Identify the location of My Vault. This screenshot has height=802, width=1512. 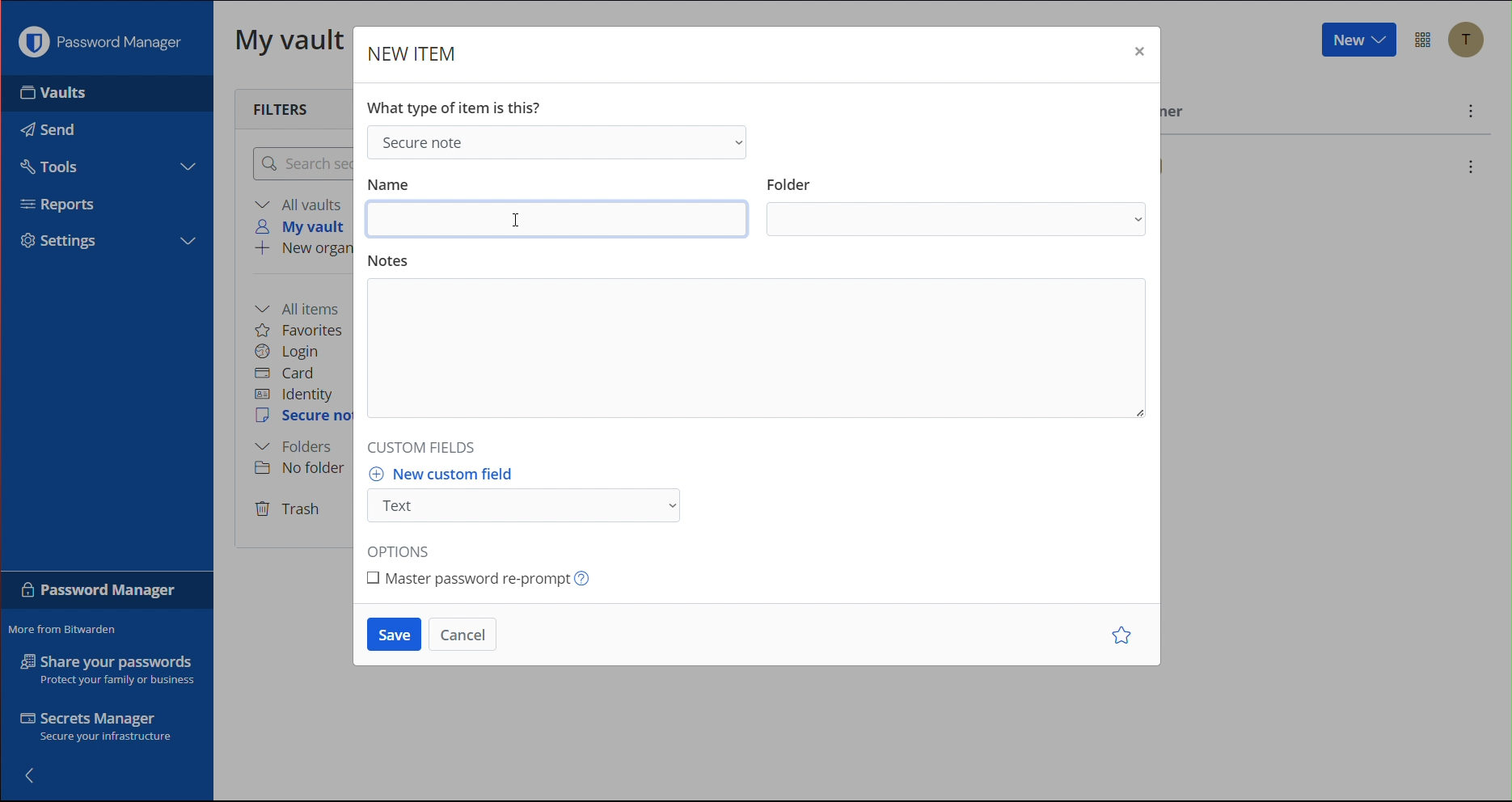
(290, 39).